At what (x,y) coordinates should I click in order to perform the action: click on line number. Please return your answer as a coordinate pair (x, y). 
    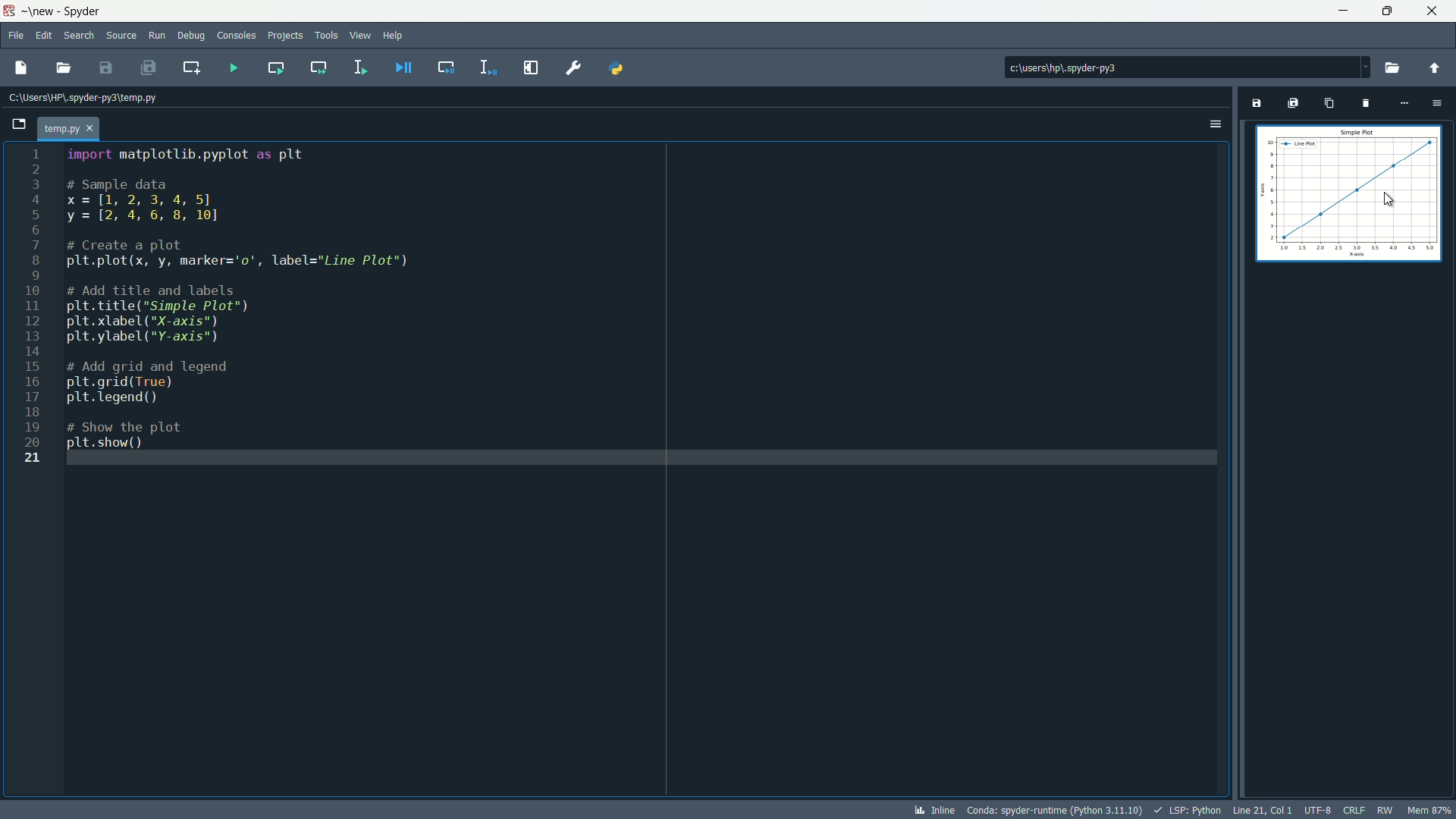
    Looking at the image, I should click on (32, 308).